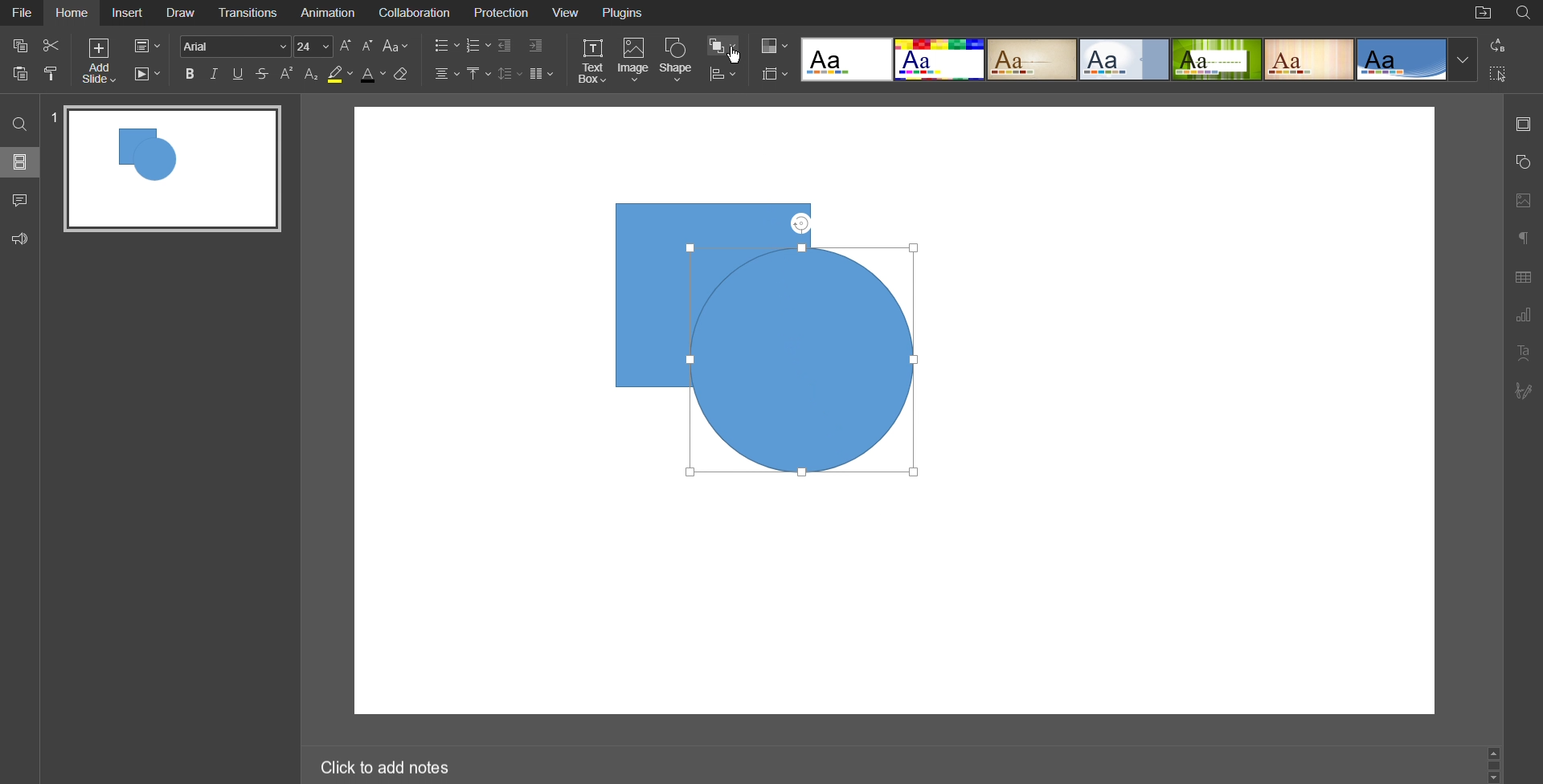 The image size is (1543, 784). What do you see at coordinates (239, 74) in the screenshot?
I see `Underline` at bounding box center [239, 74].